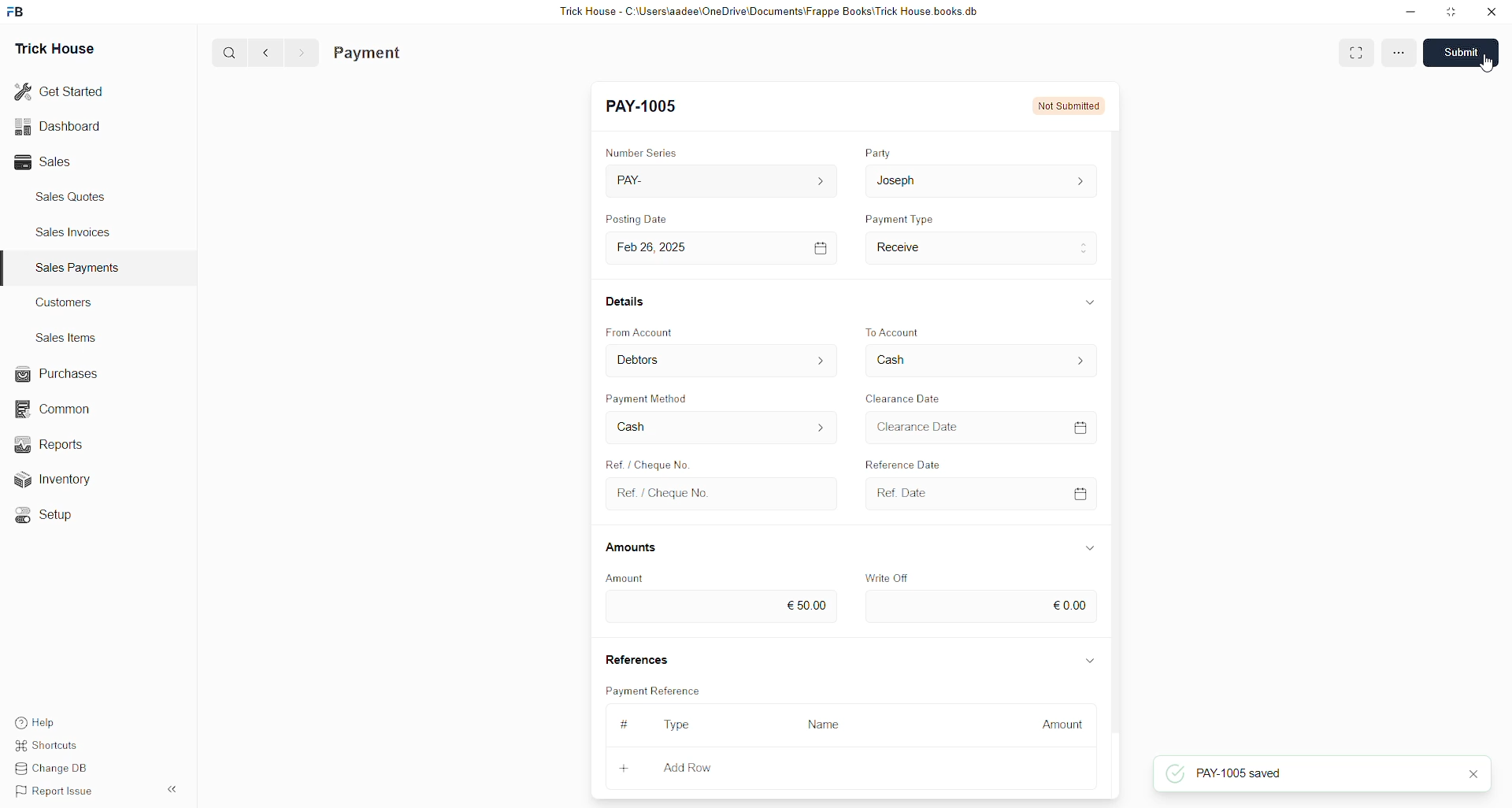 The image size is (1512, 808). What do you see at coordinates (1056, 726) in the screenshot?
I see `Amount` at bounding box center [1056, 726].